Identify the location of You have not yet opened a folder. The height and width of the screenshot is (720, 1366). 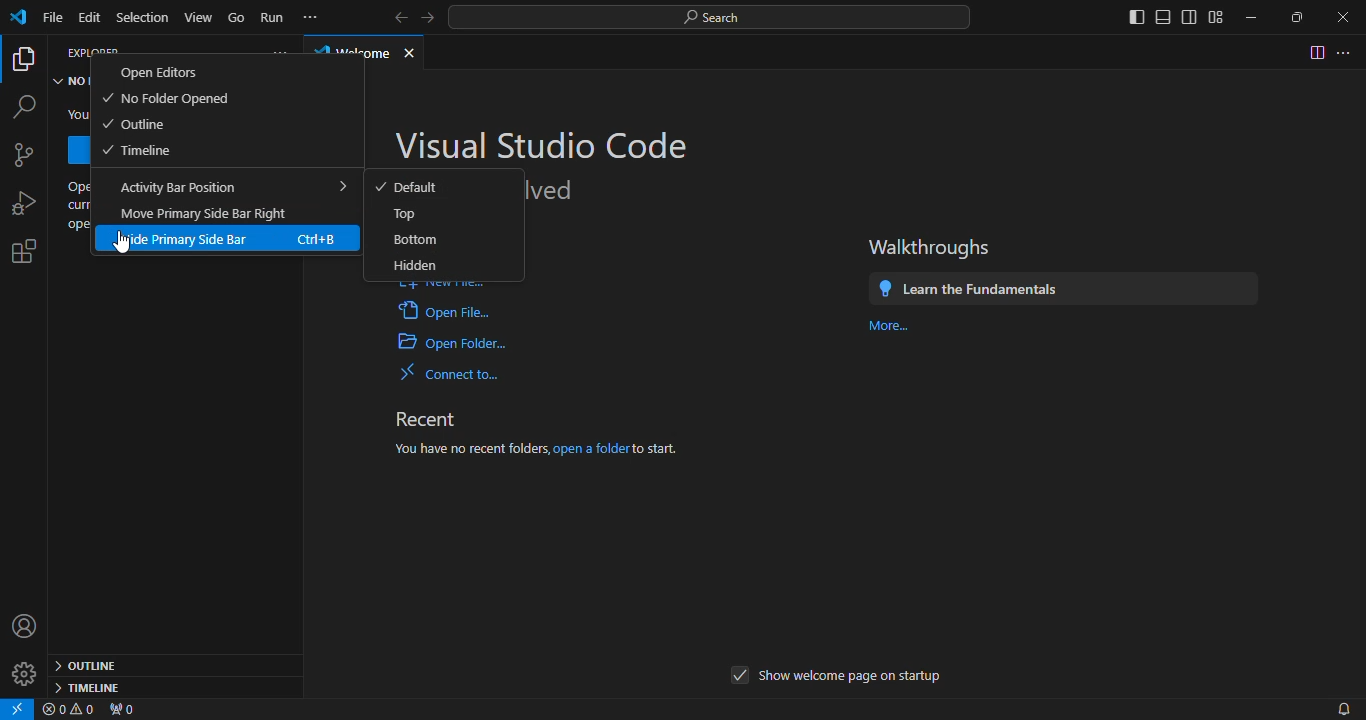
(76, 116).